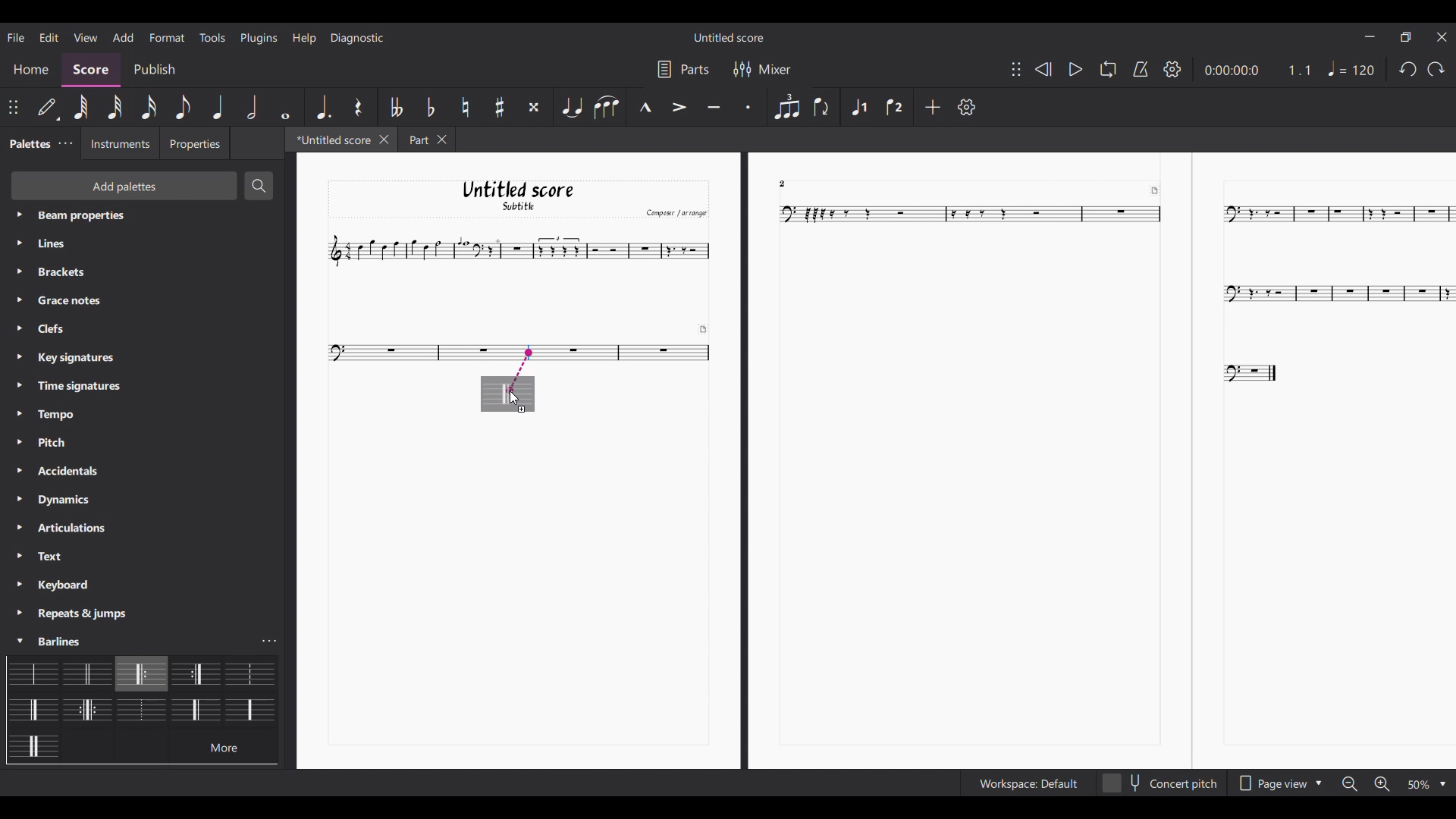  What do you see at coordinates (1436, 69) in the screenshot?
I see `Redo` at bounding box center [1436, 69].